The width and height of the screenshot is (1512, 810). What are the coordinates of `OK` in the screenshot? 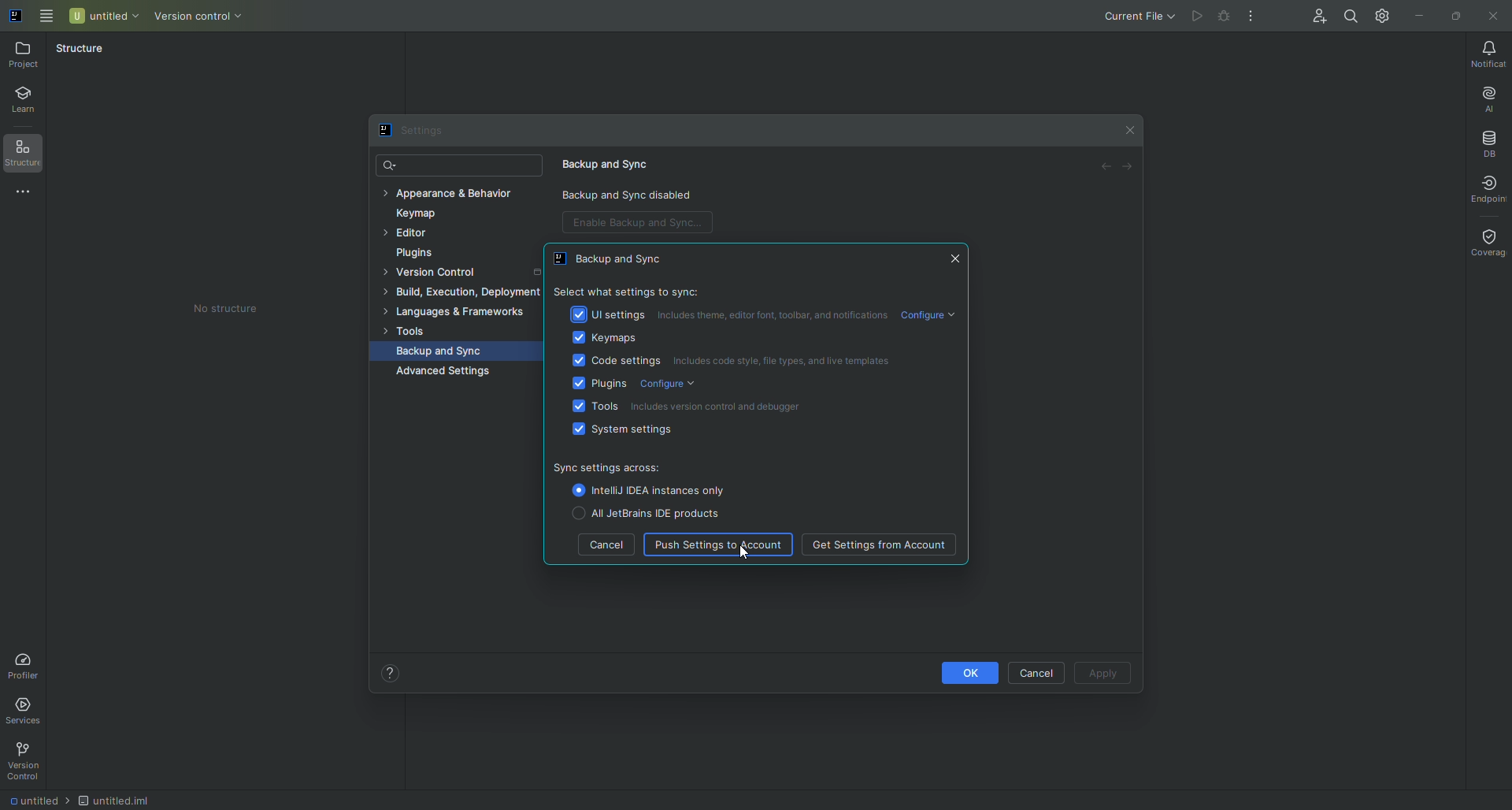 It's located at (955, 672).